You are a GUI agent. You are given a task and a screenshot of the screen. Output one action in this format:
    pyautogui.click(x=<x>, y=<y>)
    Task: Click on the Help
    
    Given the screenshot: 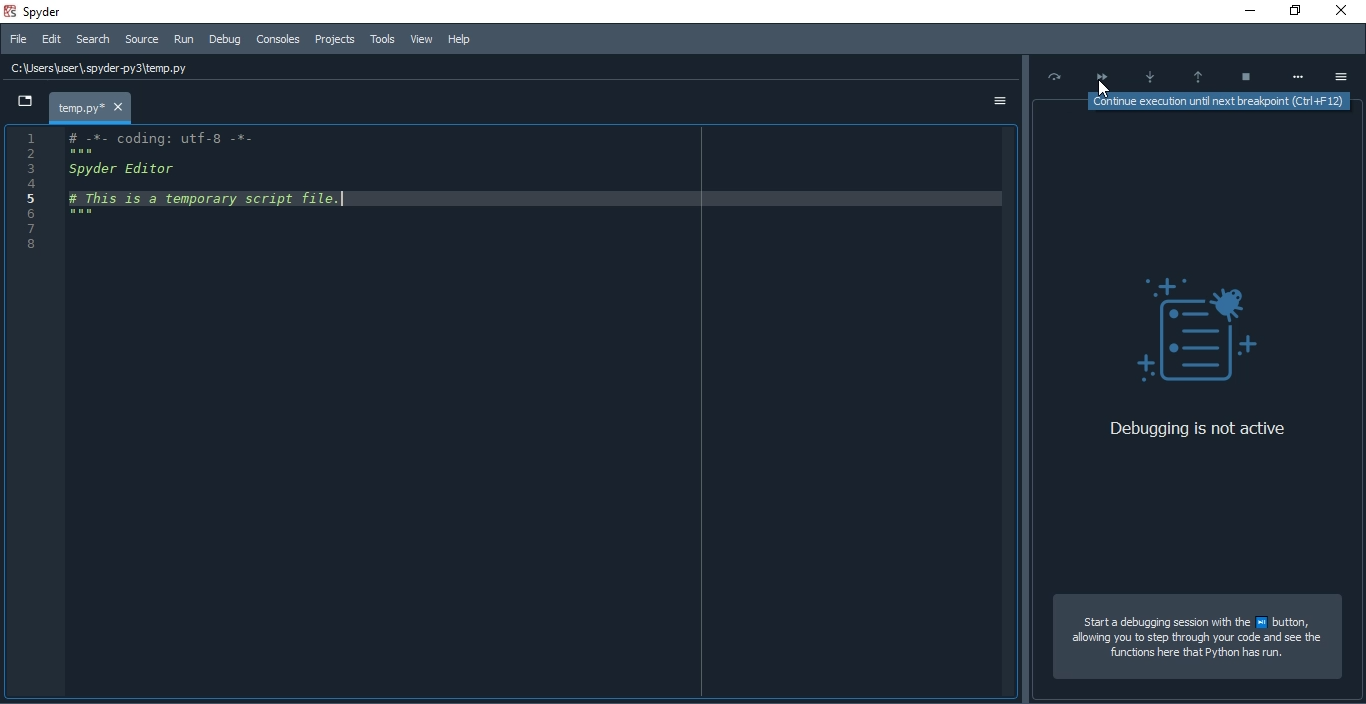 What is the action you would take?
    pyautogui.click(x=460, y=39)
    